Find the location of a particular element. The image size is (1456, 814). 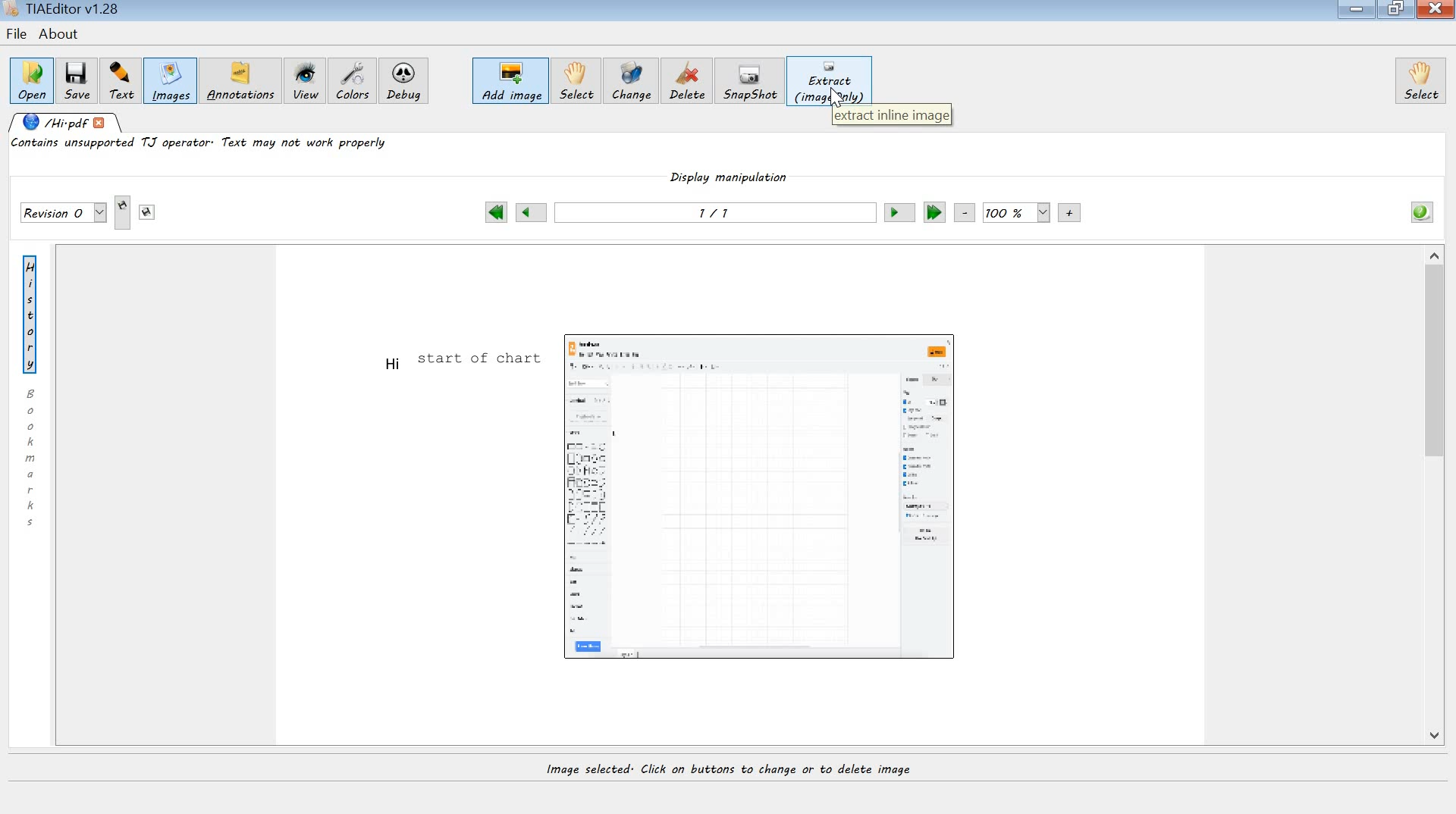

about is located at coordinates (61, 36).